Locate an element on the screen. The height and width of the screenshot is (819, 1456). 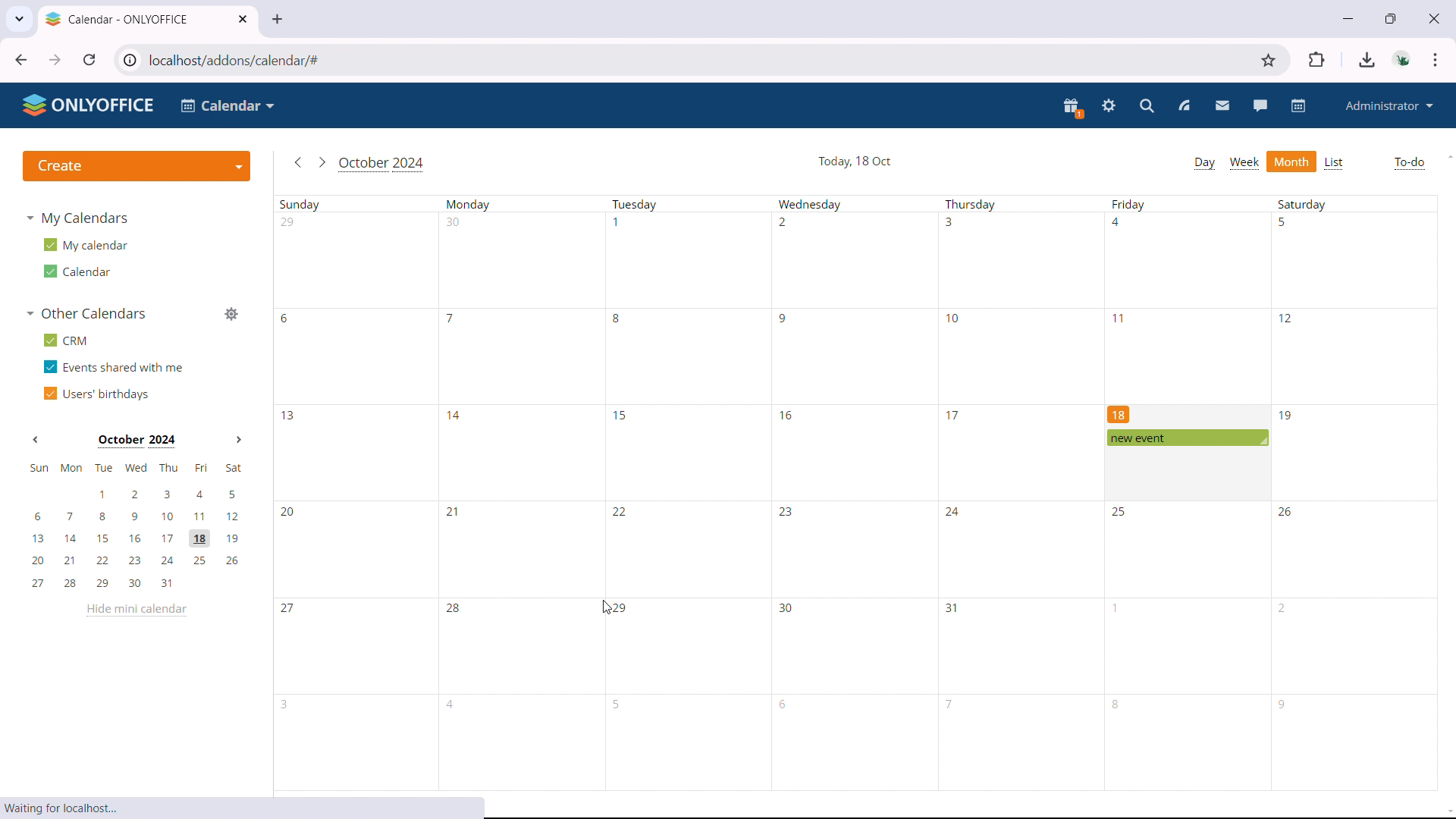
feed is located at coordinates (1183, 106).